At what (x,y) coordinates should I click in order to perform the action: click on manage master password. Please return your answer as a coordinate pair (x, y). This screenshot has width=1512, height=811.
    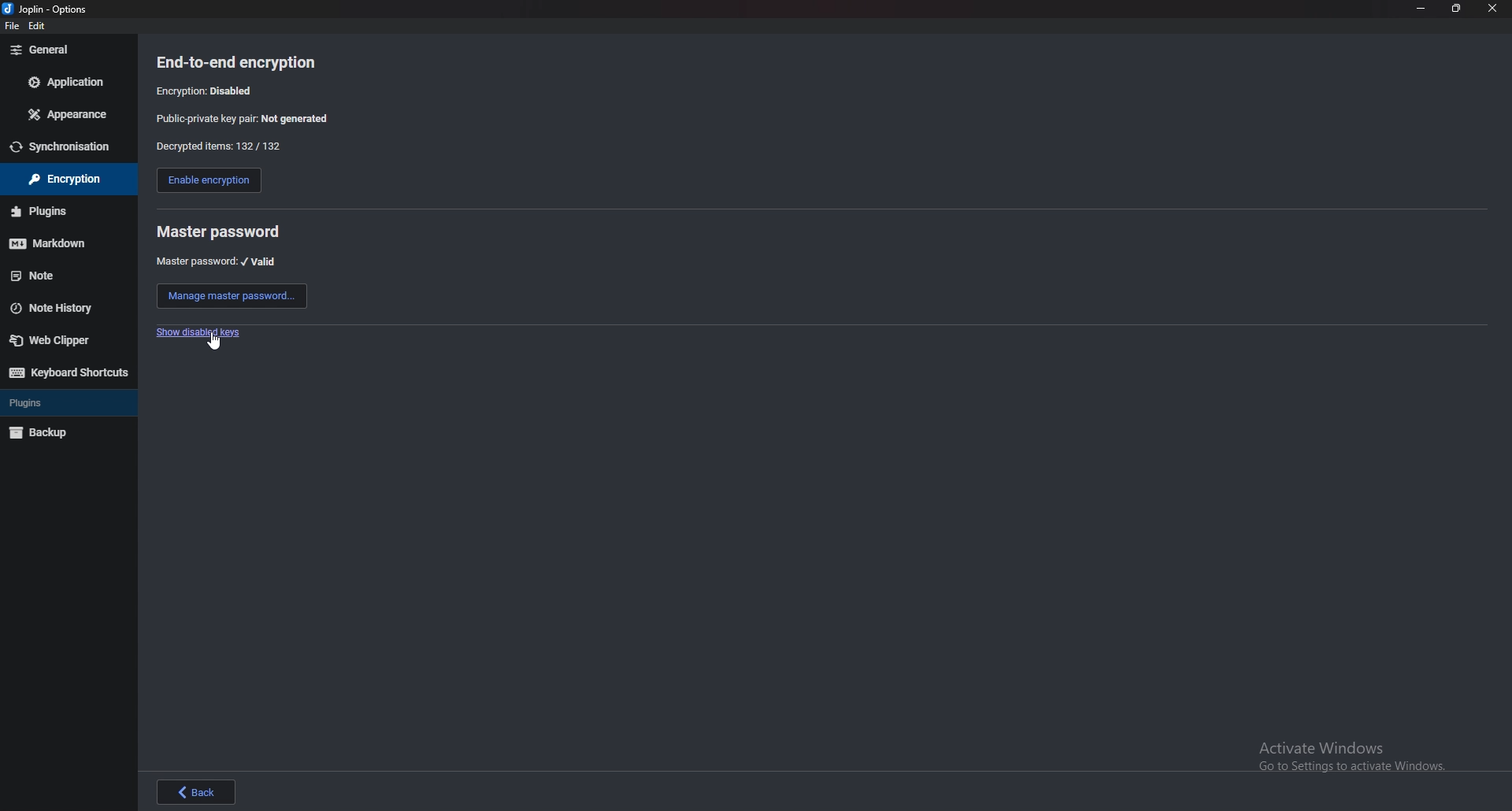
    Looking at the image, I should click on (232, 297).